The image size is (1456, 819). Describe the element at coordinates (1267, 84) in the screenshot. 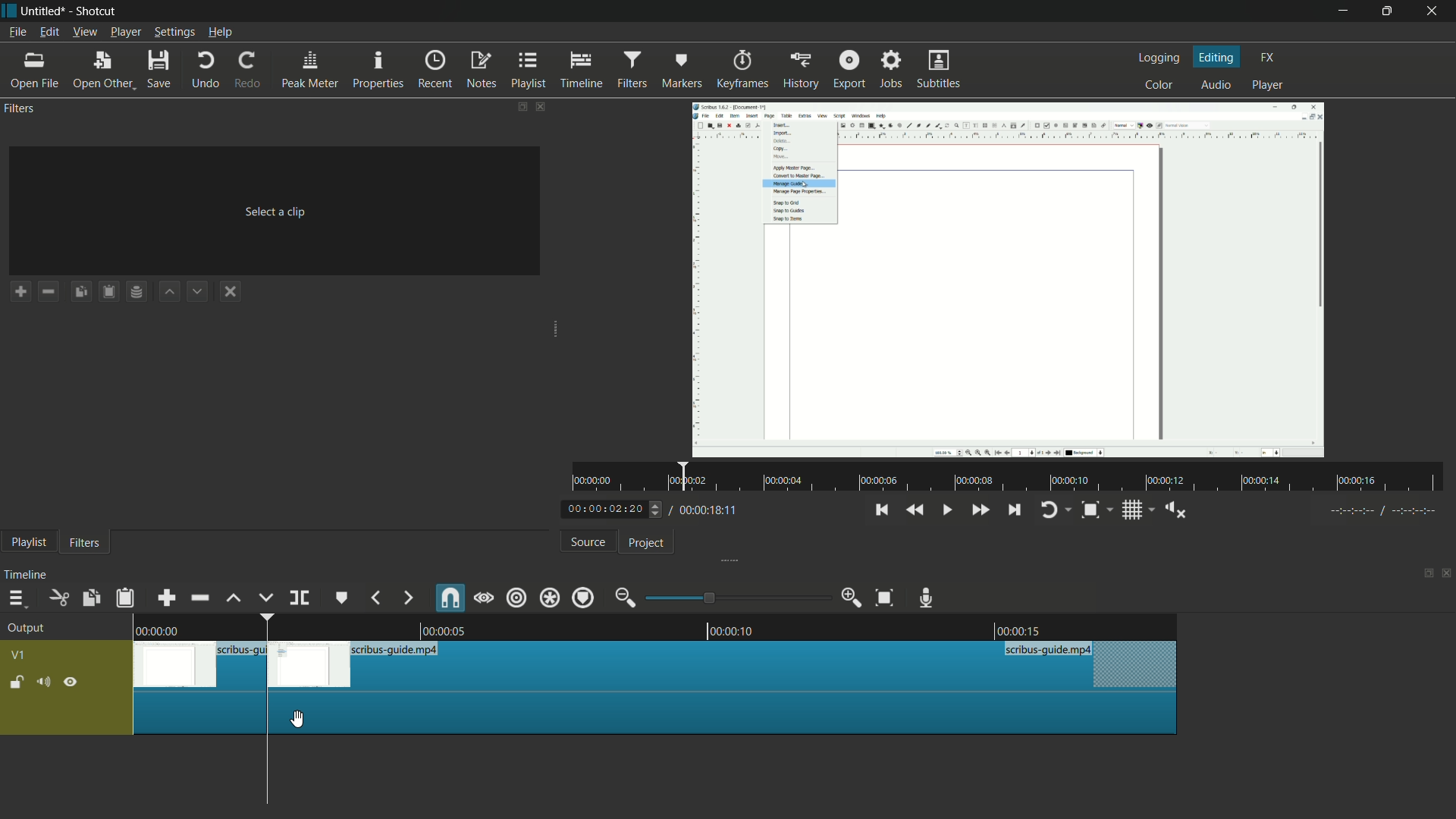

I see `player` at that location.